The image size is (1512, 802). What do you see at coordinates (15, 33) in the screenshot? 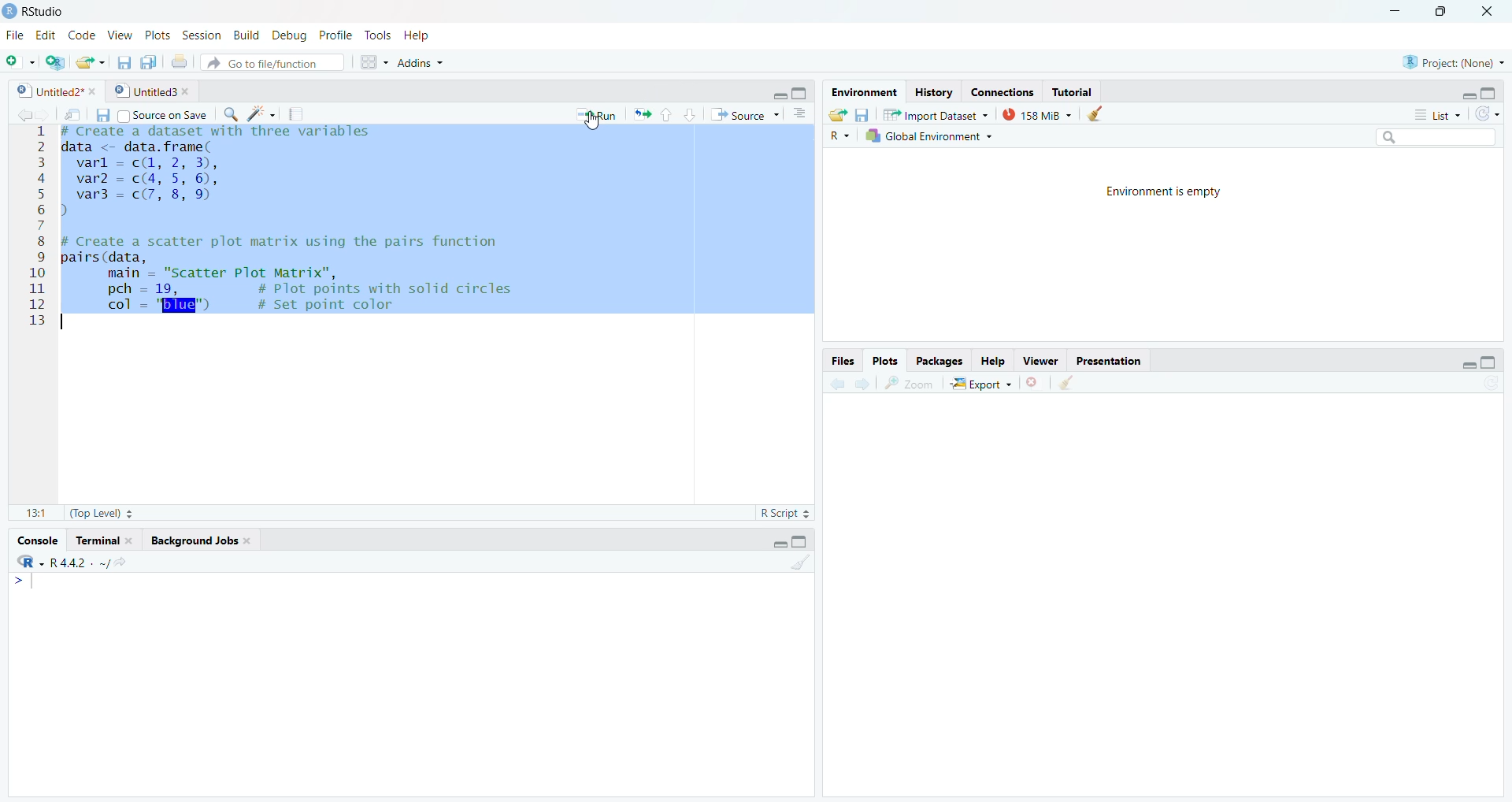
I see `File` at bounding box center [15, 33].